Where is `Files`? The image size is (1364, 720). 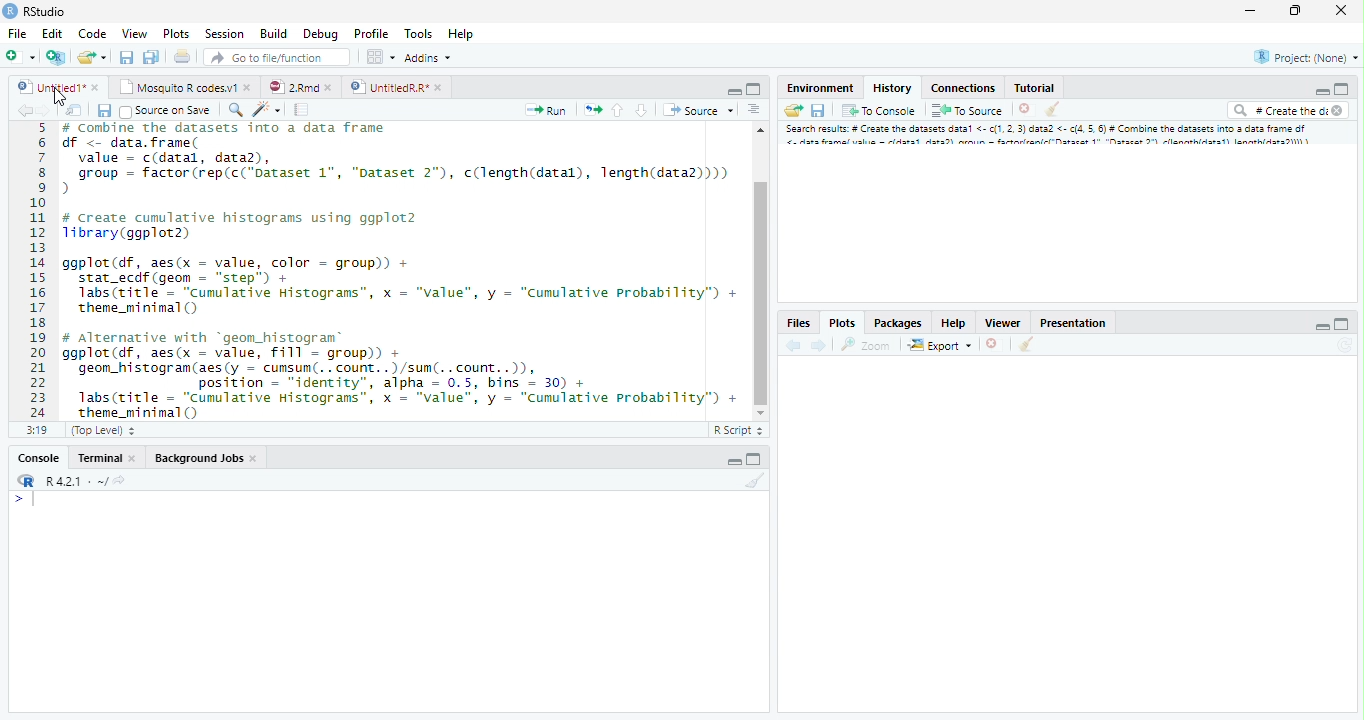
Files is located at coordinates (798, 321).